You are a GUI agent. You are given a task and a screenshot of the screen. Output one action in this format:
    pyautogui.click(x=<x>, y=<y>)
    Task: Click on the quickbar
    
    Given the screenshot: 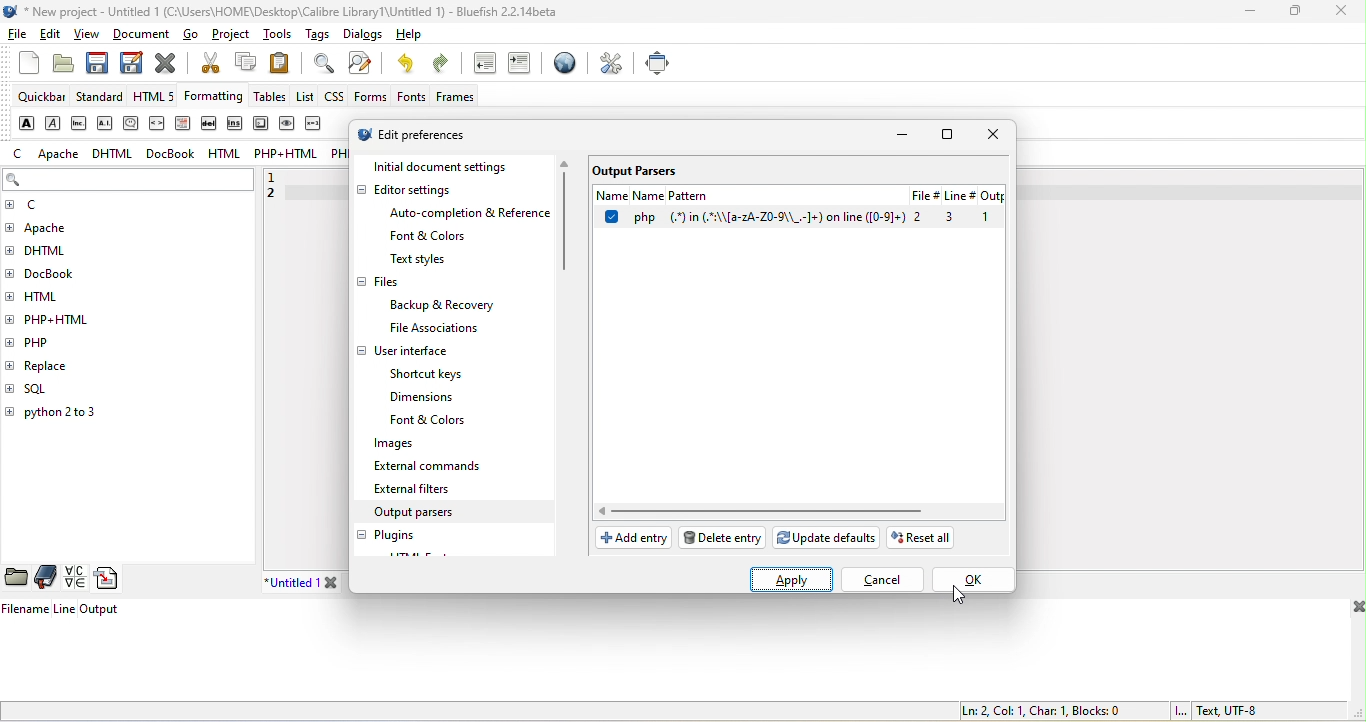 What is the action you would take?
    pyautogui.click(x=41, y=98)
    